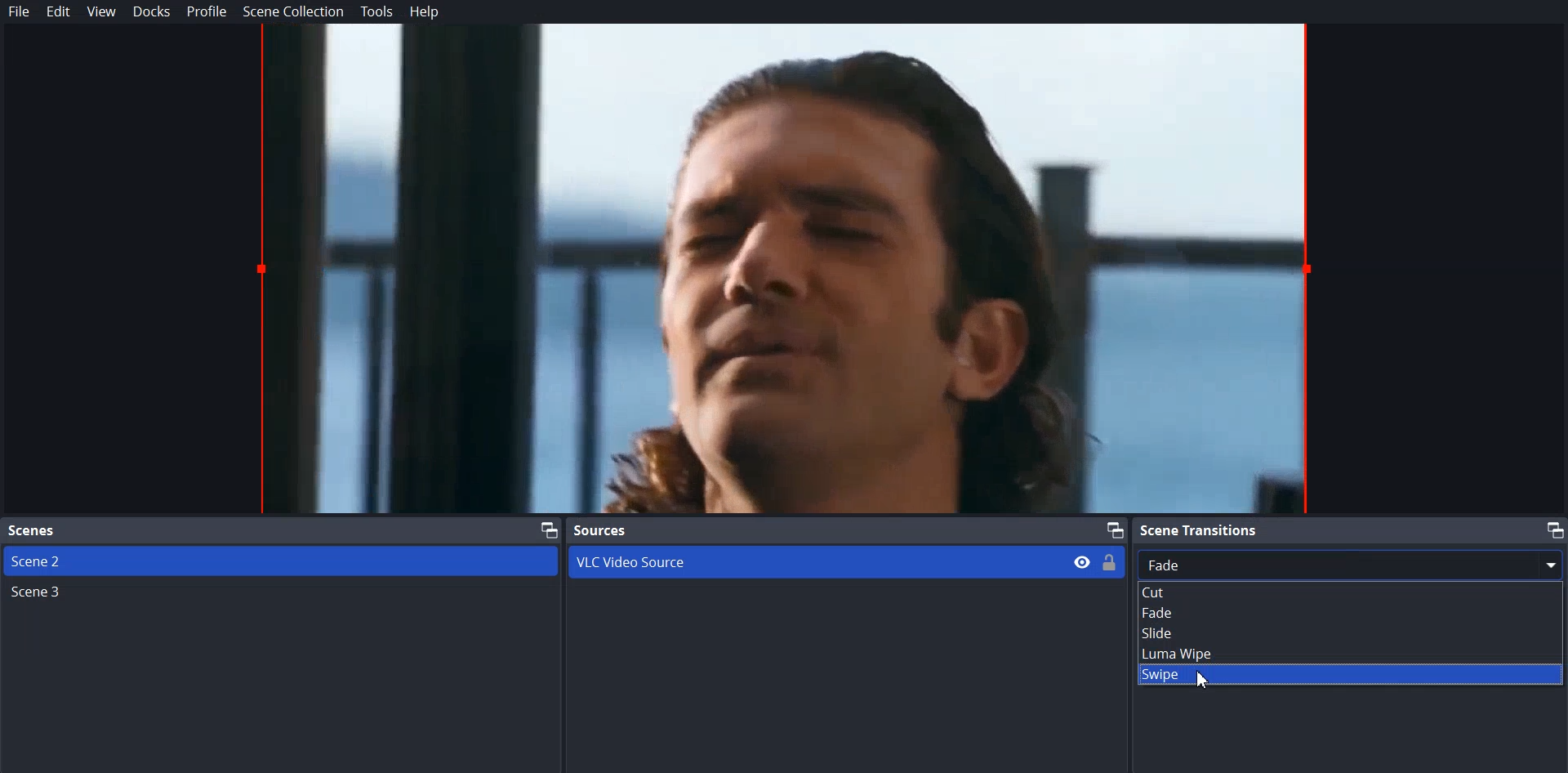 The height and width of the screenshot is (773, 1568). Describe the element at coordinates (376, 11) in the screenshot. I see `Tools` at that location.